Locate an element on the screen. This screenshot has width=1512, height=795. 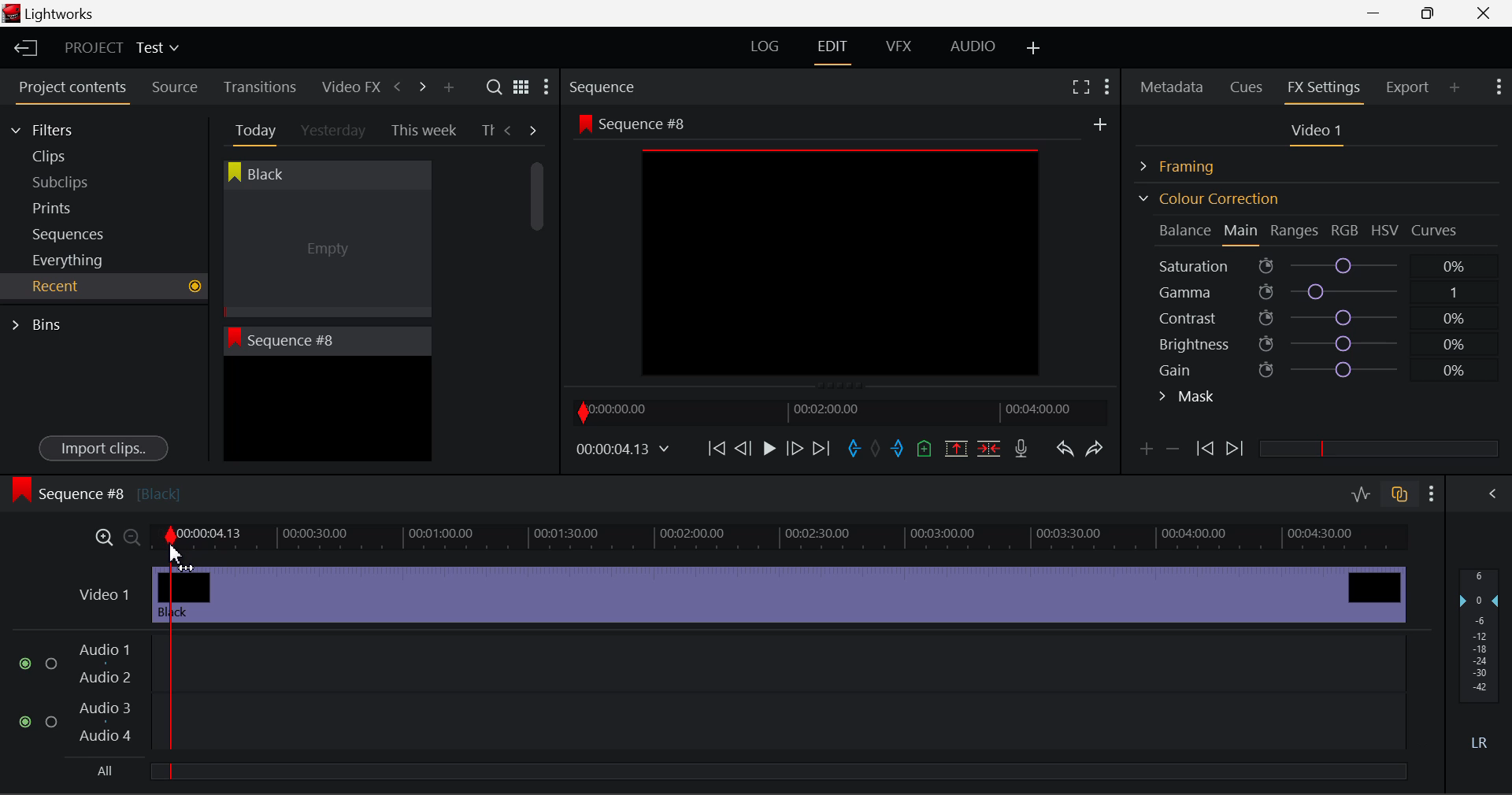
Audio Input Fields is located at coordinates (713, 694).